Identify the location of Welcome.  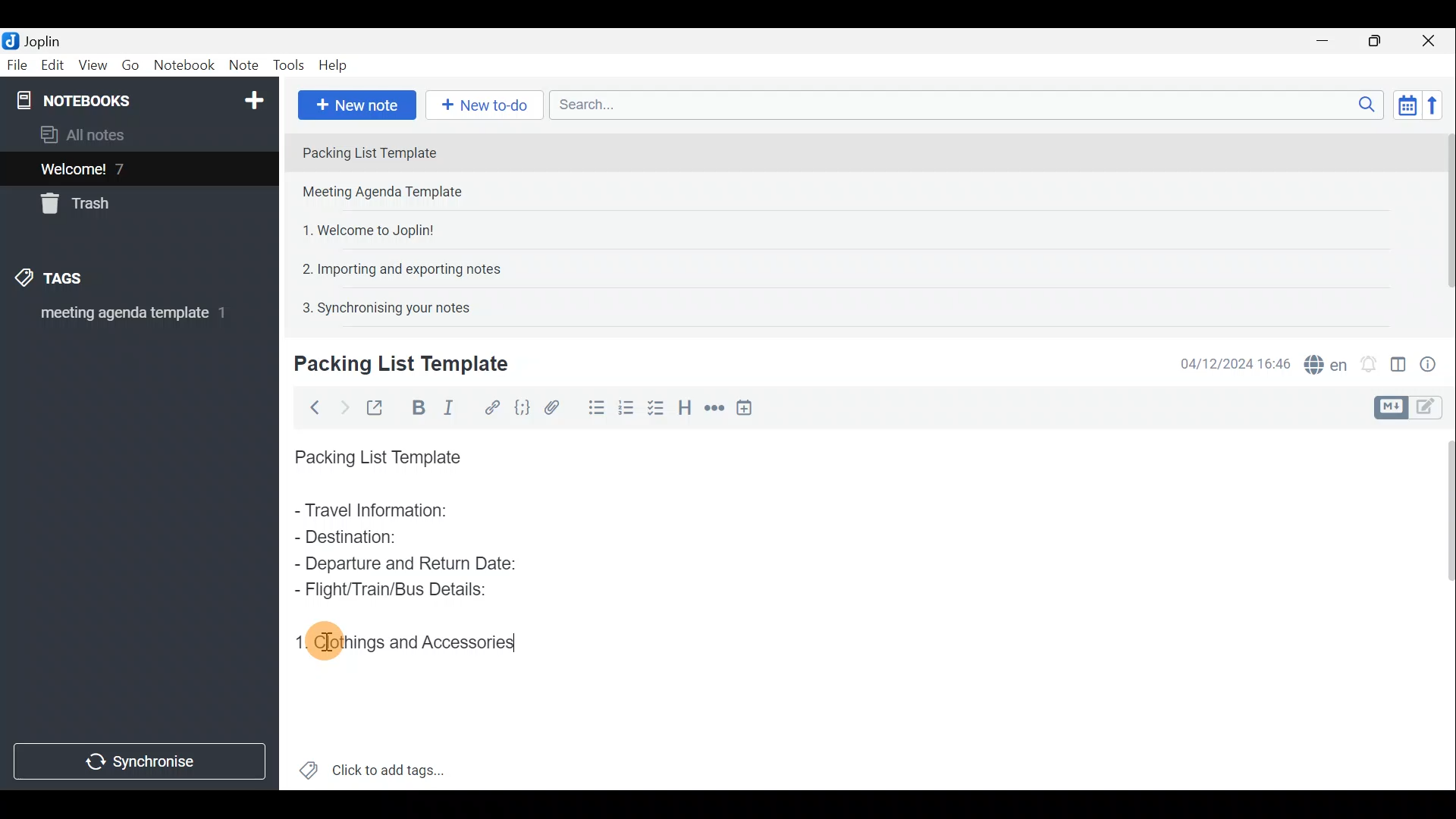
(116, 168).